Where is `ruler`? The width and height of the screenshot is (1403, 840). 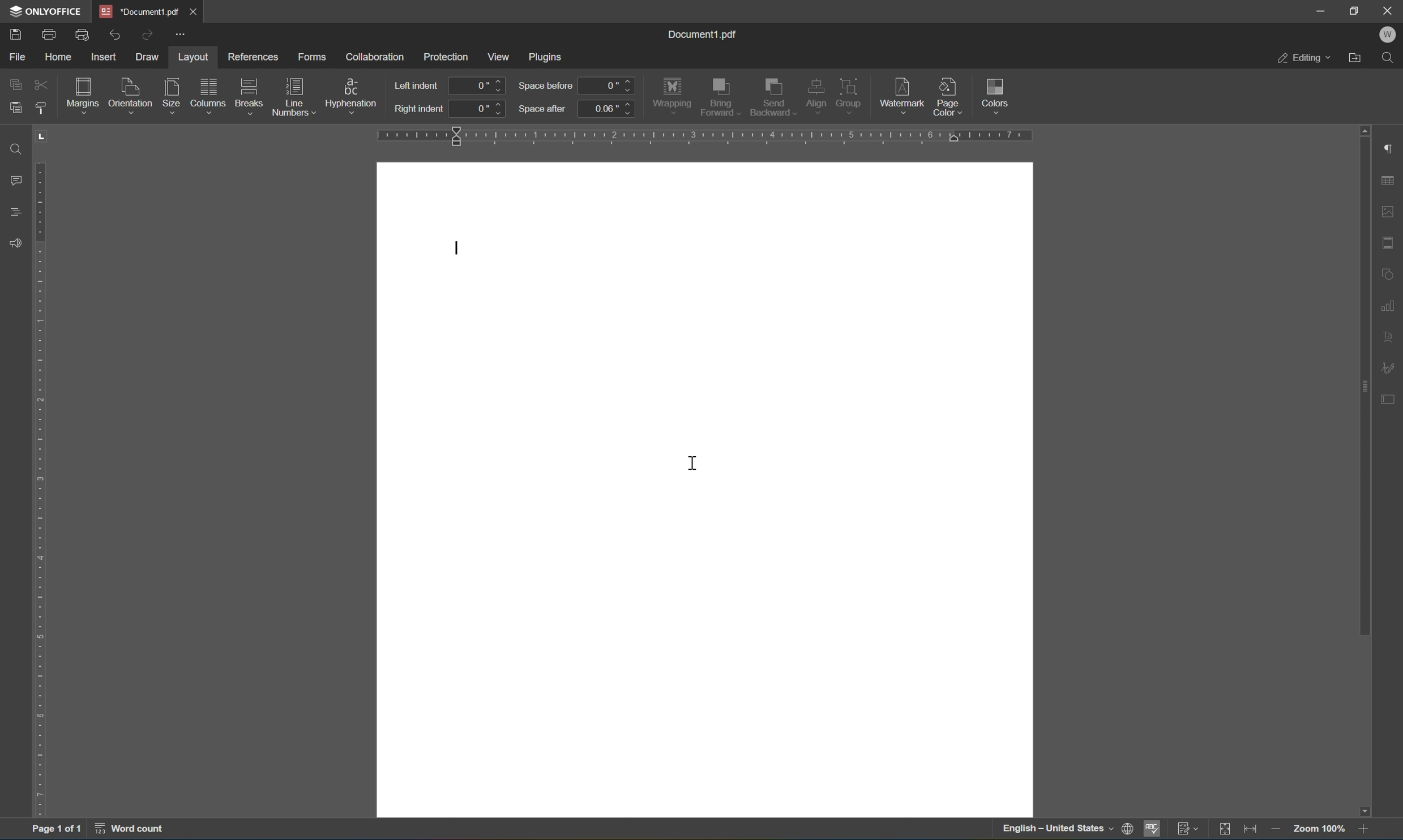 ruler is located at coordinates (707, 136).